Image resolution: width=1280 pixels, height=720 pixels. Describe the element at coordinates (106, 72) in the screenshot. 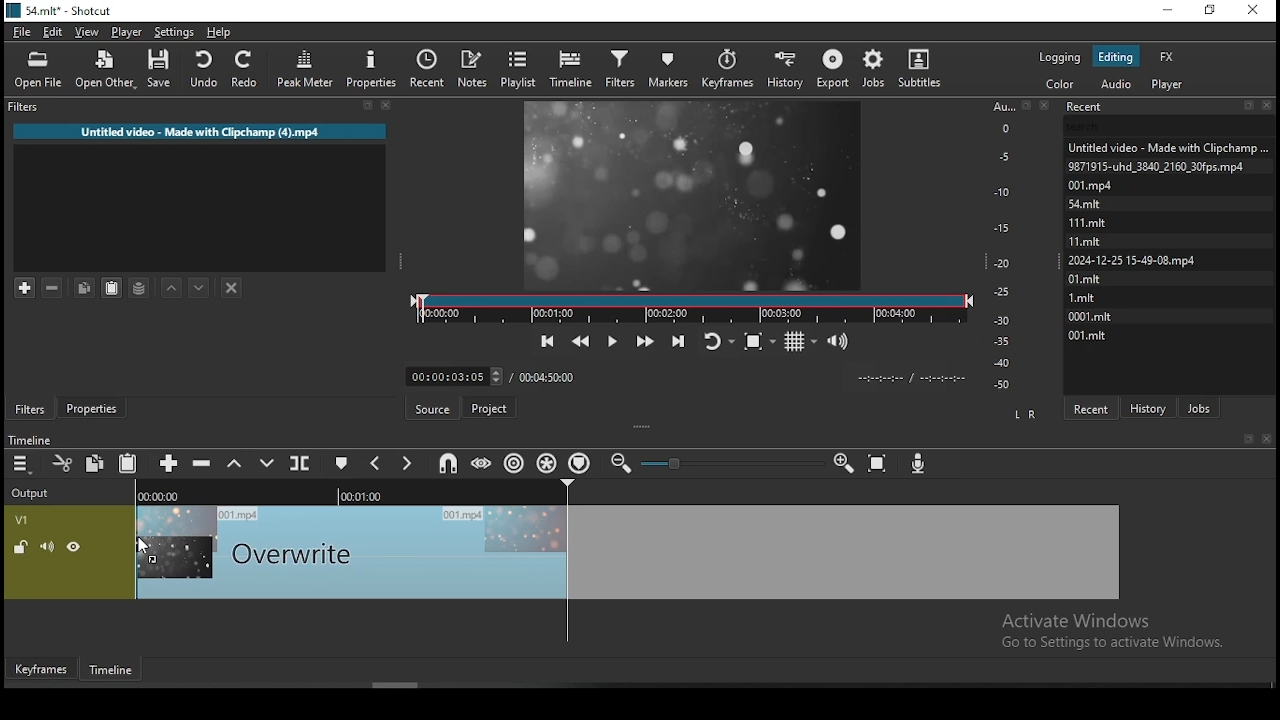

I see `open other` at that location.